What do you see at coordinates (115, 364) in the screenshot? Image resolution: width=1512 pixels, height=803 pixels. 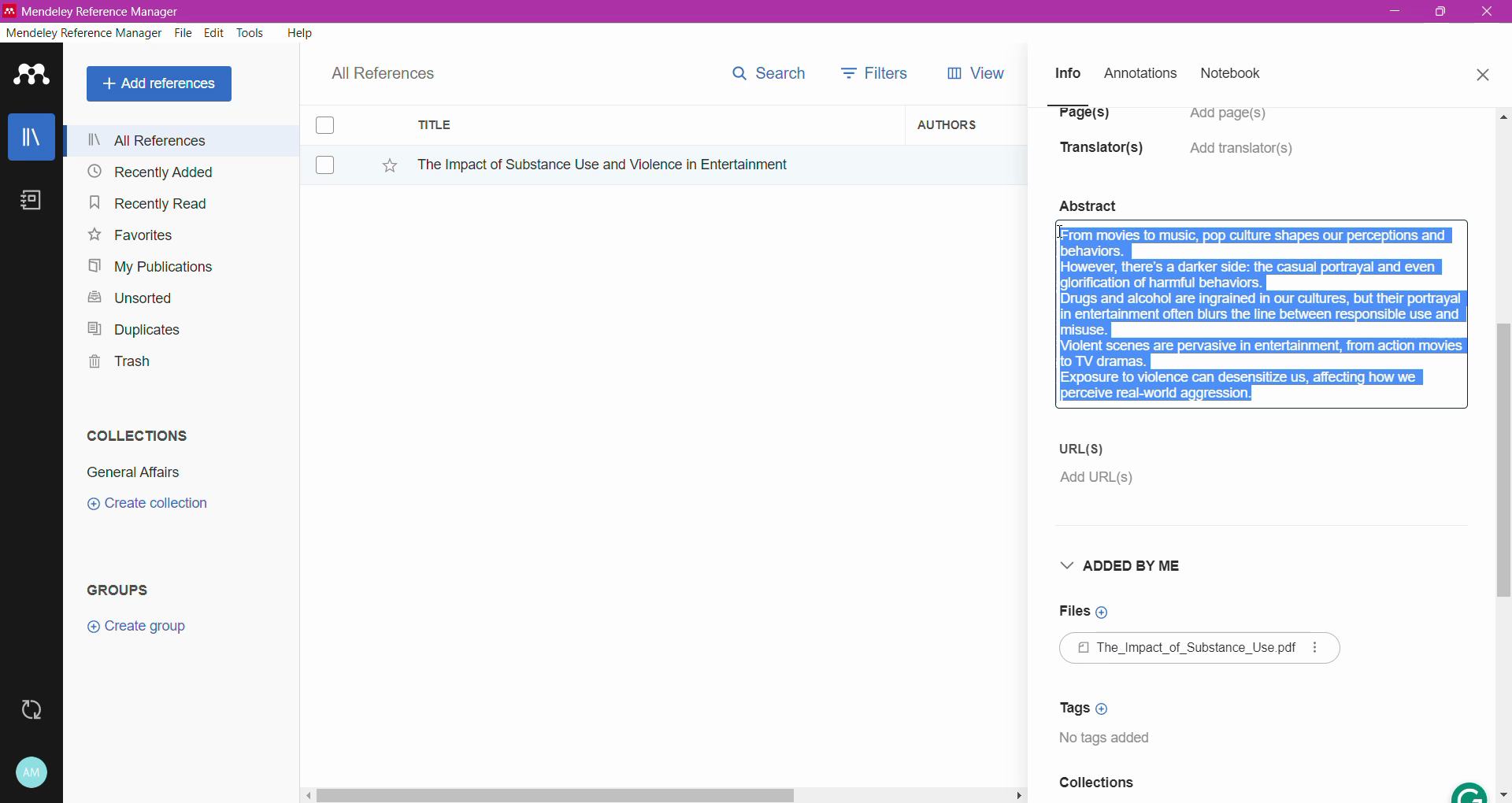 I see `Trash` at bounding box center [115, 364].